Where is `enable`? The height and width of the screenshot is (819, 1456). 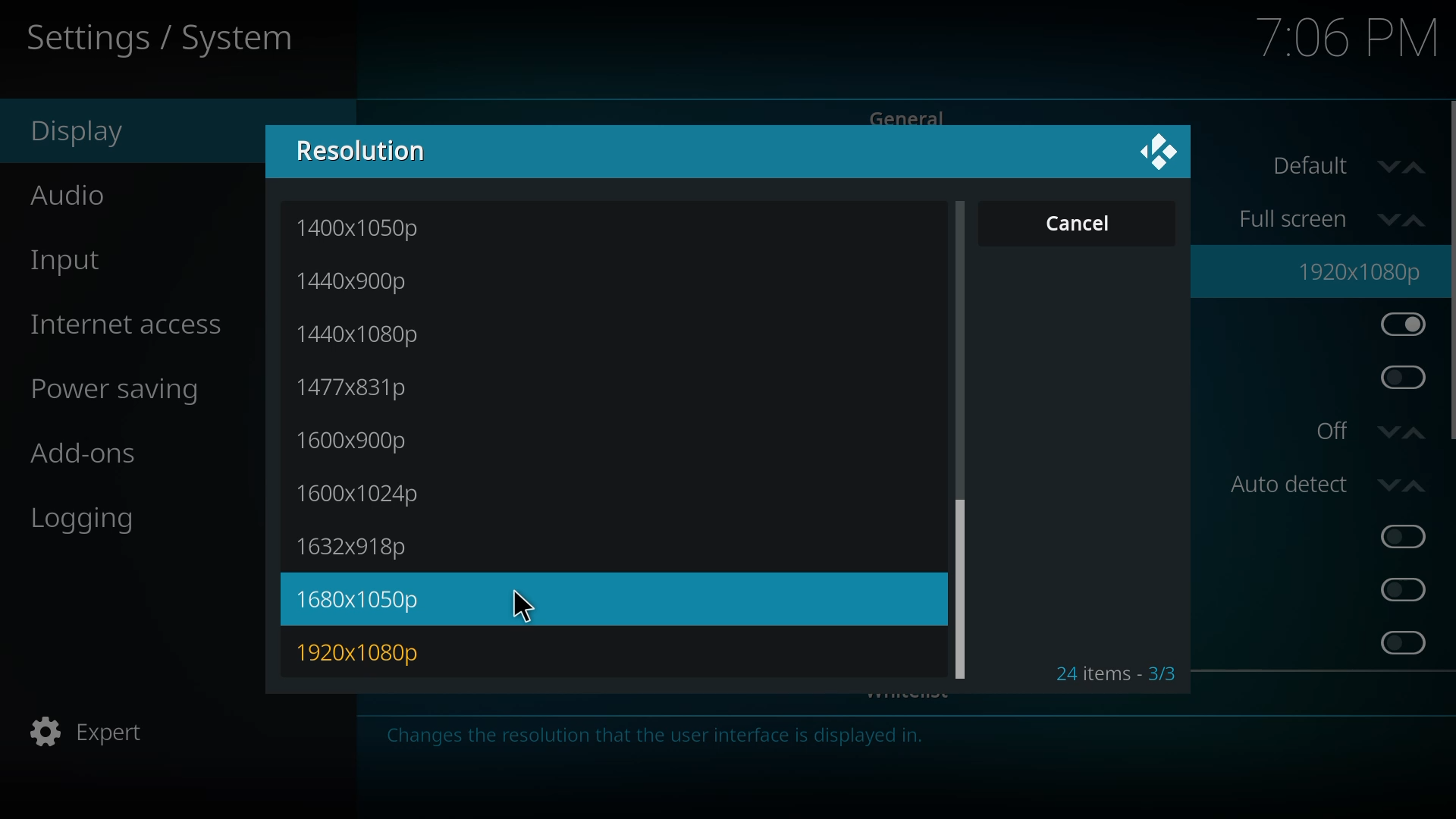 enable is located at coordinates (1402, 536).